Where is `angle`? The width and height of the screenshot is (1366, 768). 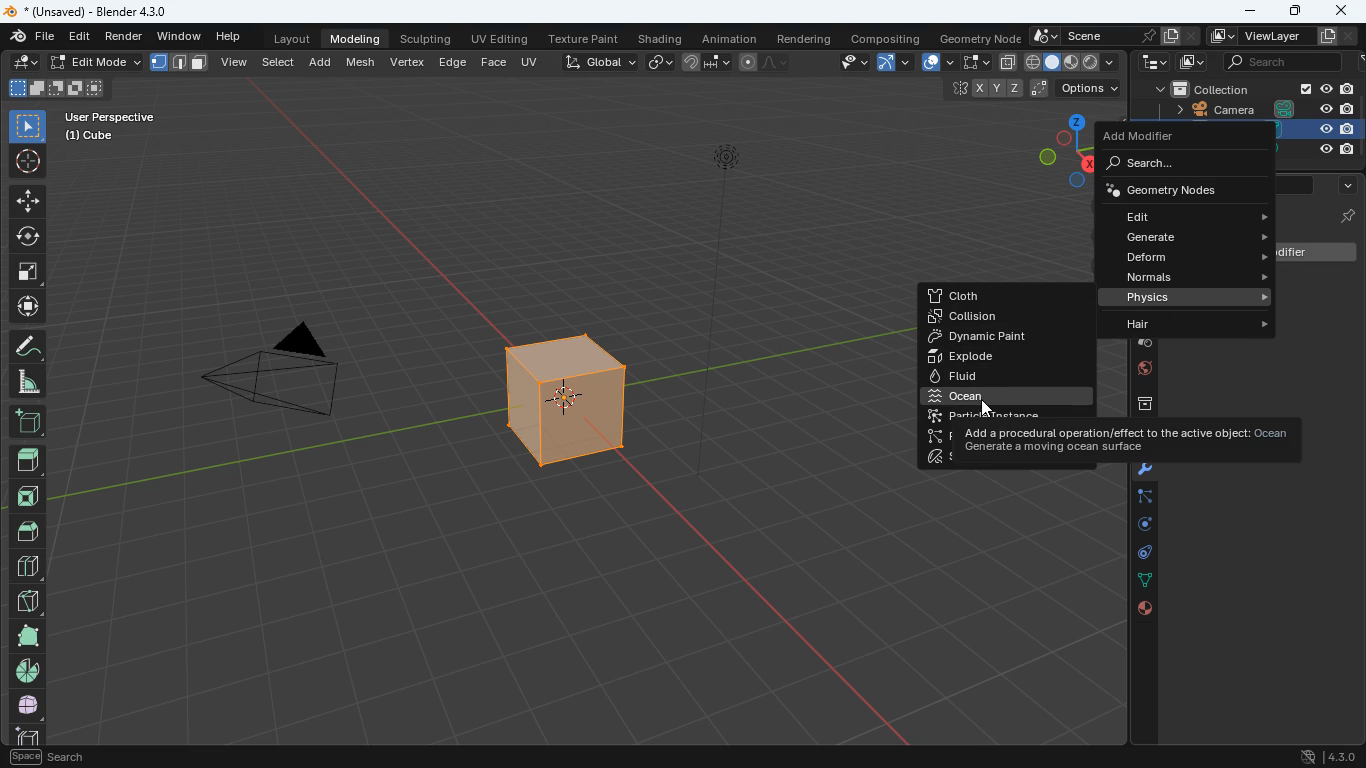
angle is located at coordinates (25, 381).